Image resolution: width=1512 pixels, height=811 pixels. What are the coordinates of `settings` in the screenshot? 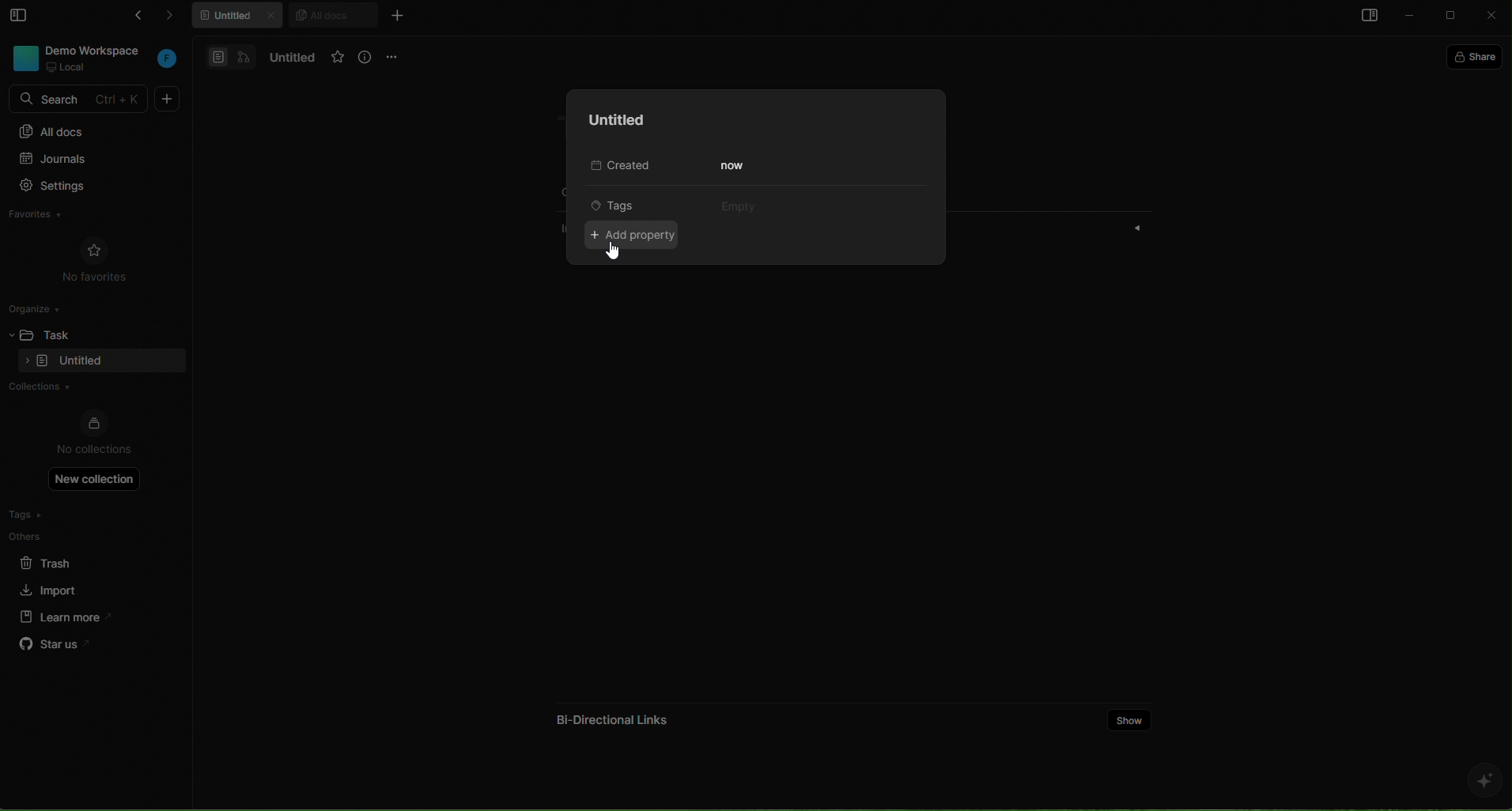 It's located at (86, 187).